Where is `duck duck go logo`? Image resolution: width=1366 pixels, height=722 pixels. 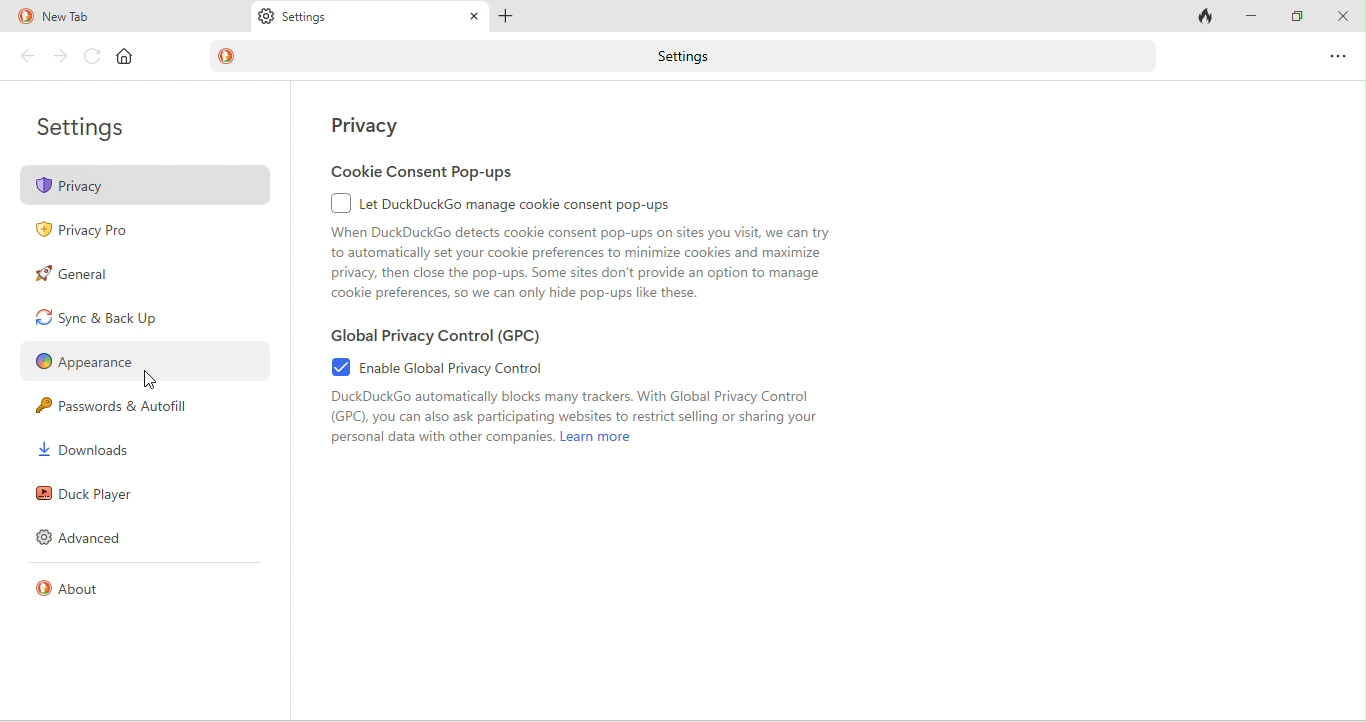
duck duck go logo is located at coordinates (228, 56).